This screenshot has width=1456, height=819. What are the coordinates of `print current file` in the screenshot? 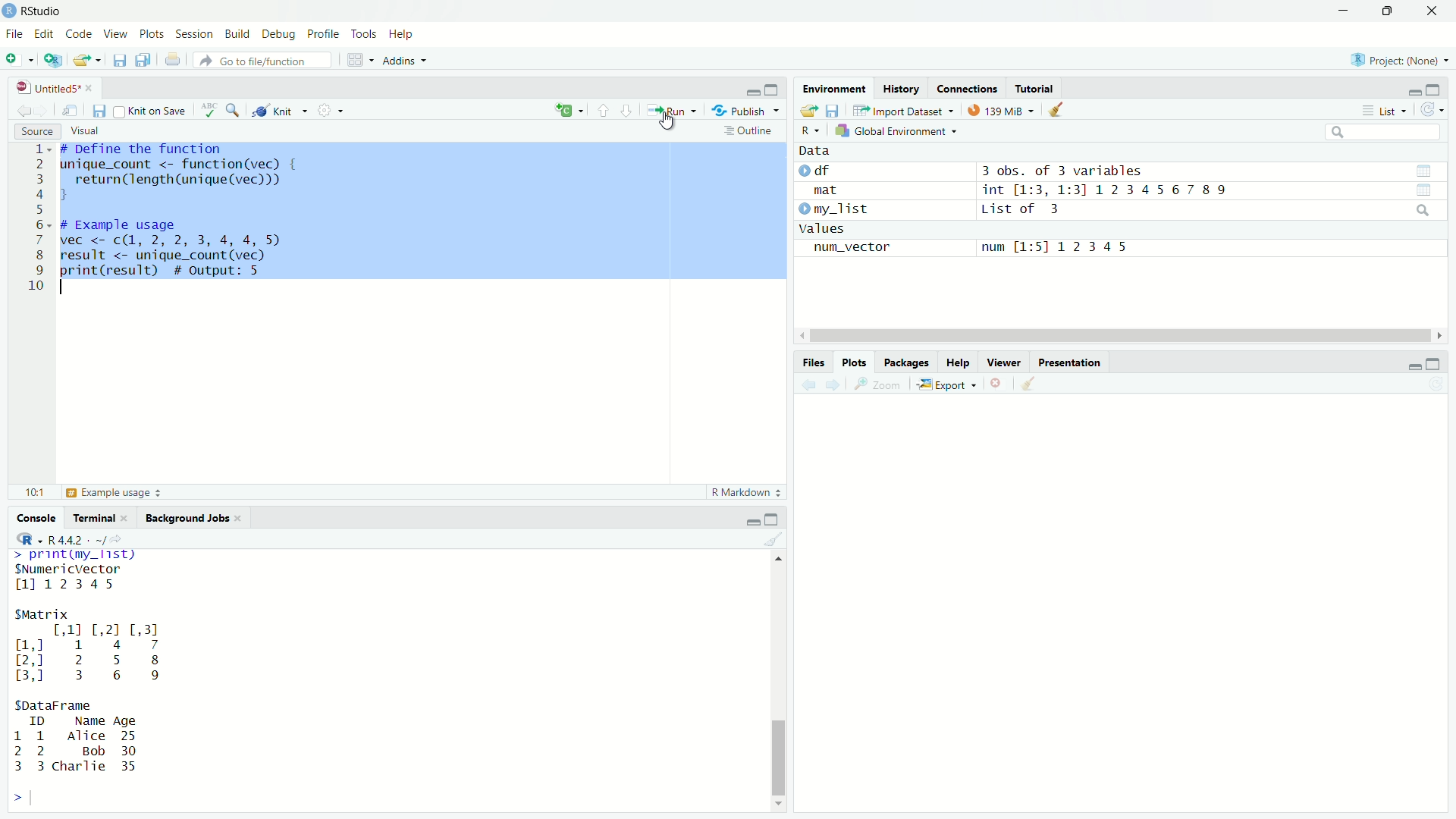 It's located at (172, 61).